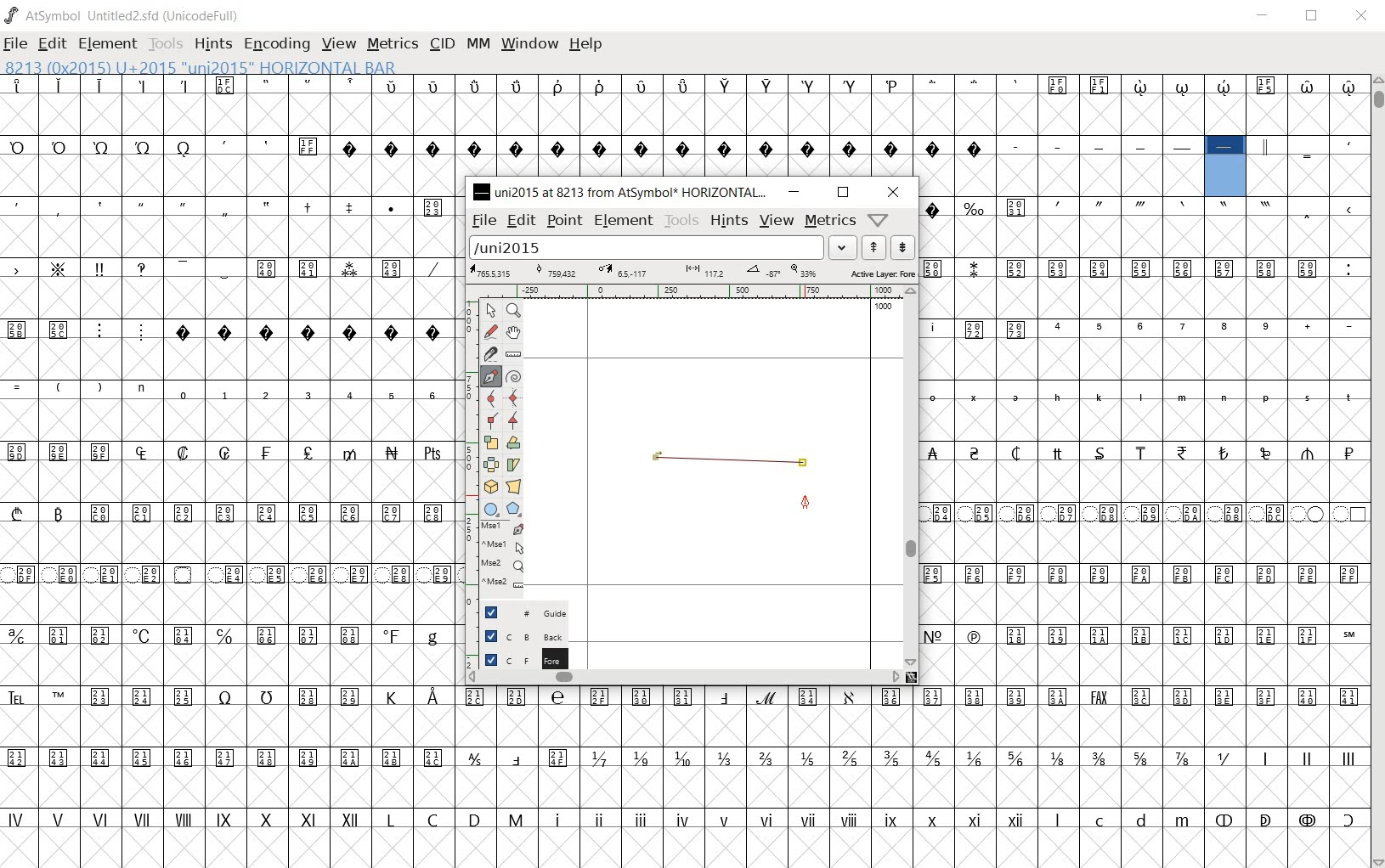 This screenshot has height=868, width=1385. Describe the element at coordinates (1225, 168) in the screenshot. I see `8213 (0x2015) U+2015 "uni2015" HORIZONTAL BAR` at that location.